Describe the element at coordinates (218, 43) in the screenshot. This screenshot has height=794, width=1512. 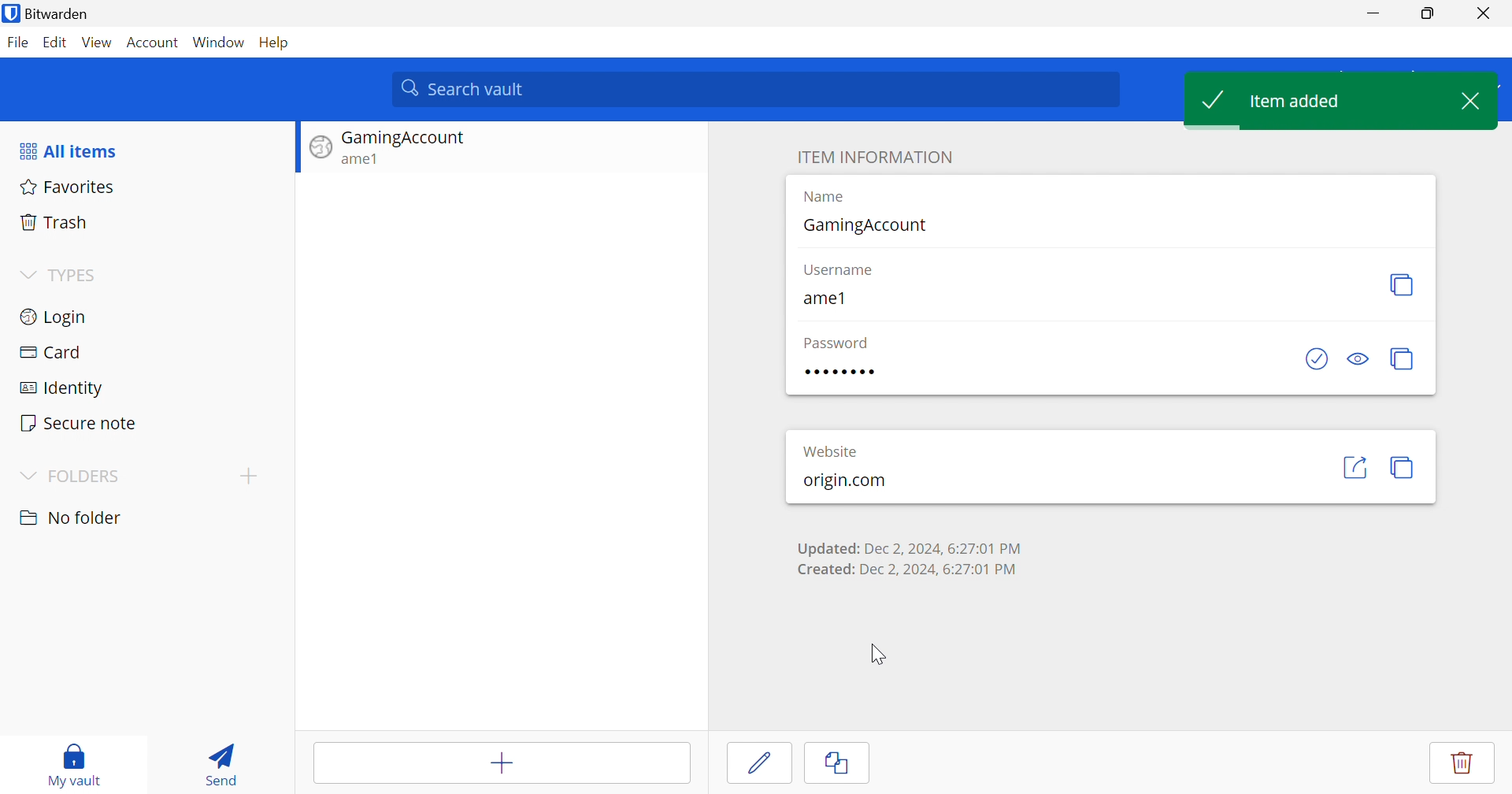
I see `Window` at that location.